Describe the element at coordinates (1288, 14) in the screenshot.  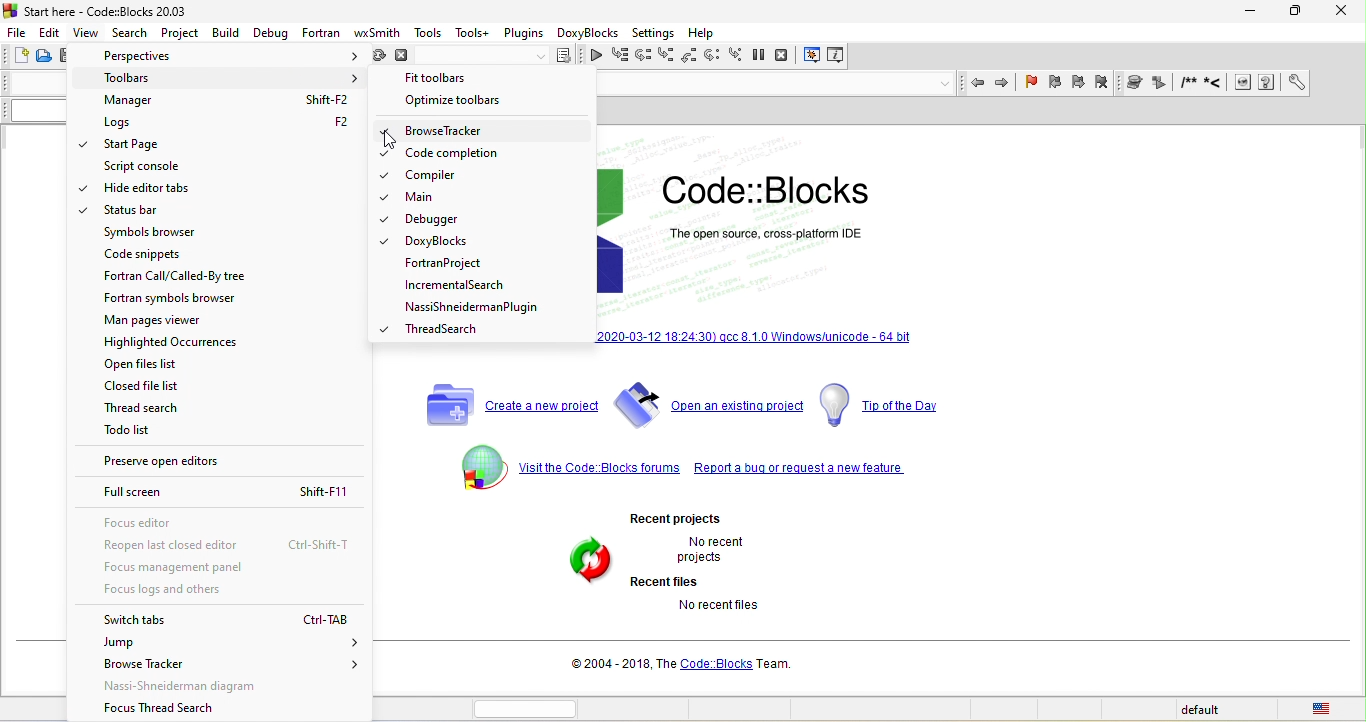
I see `maximize` at that location.